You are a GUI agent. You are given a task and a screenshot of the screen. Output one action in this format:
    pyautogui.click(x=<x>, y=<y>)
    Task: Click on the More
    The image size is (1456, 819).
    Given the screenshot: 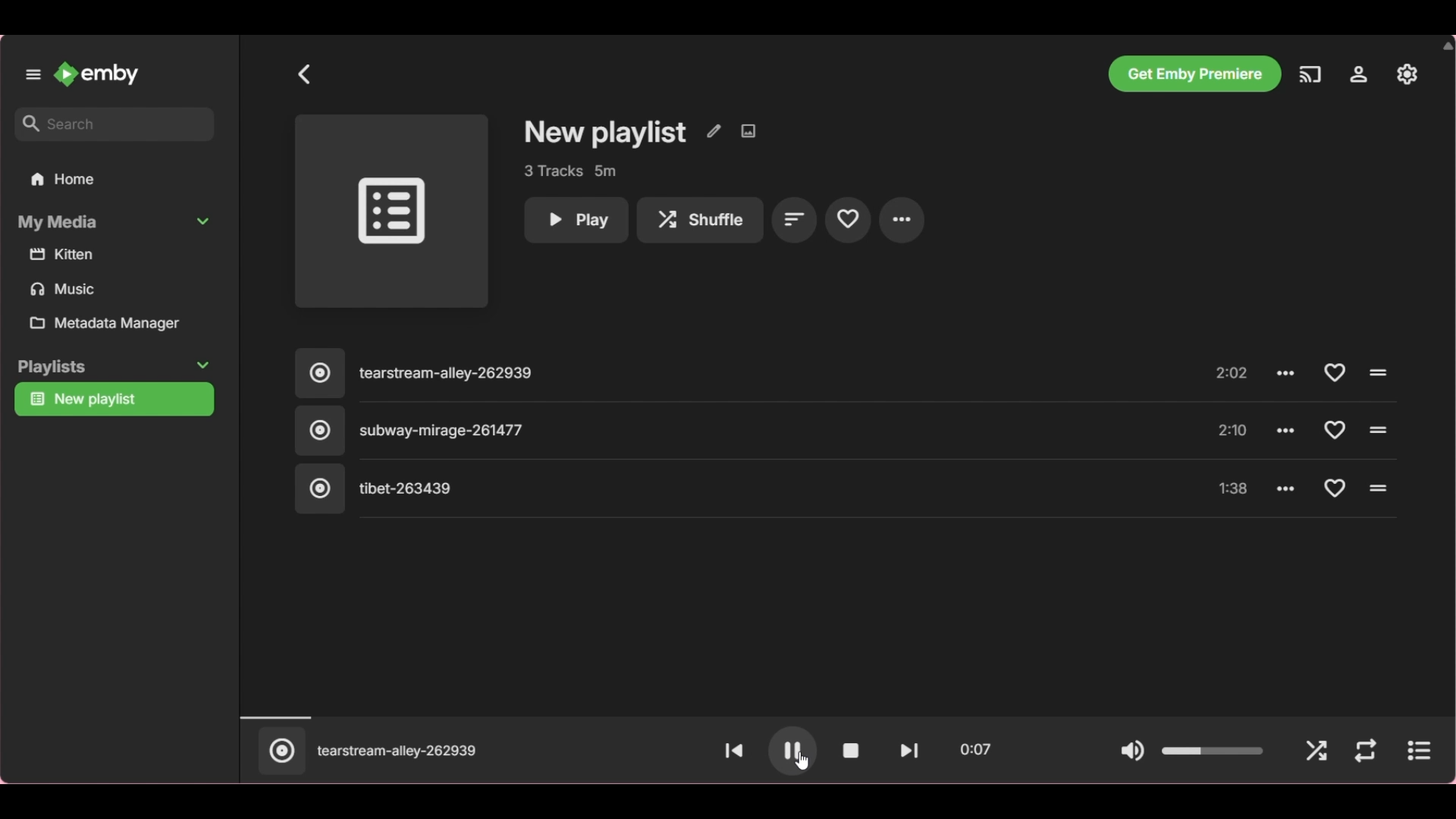 What is the action you would take?
    pyautogui.click(x=902, y=220)
    